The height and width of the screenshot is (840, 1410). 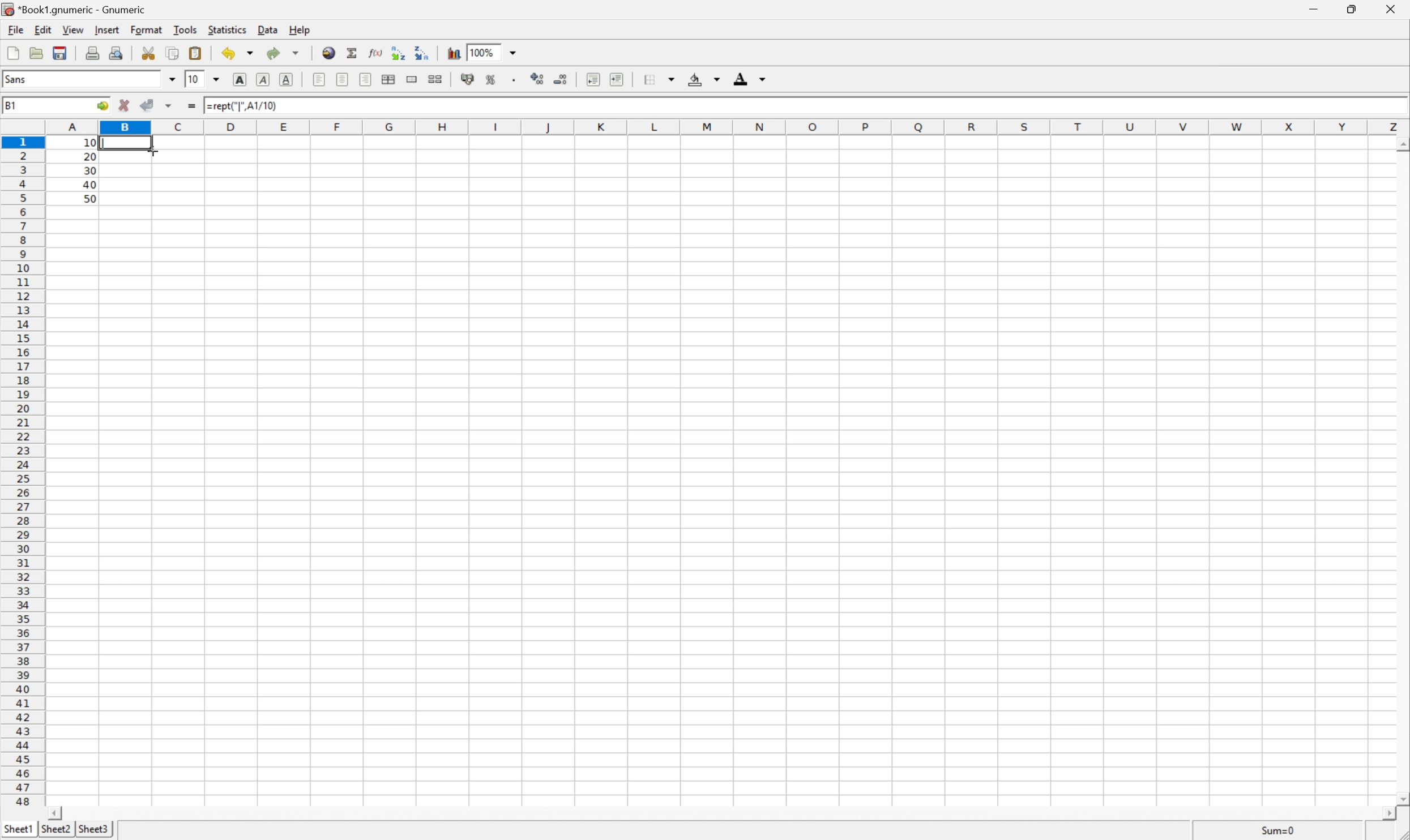 What do you see at coordinates (93, 53) in the screenshot?
I see `Print current file` at bounding box center [93, 53].